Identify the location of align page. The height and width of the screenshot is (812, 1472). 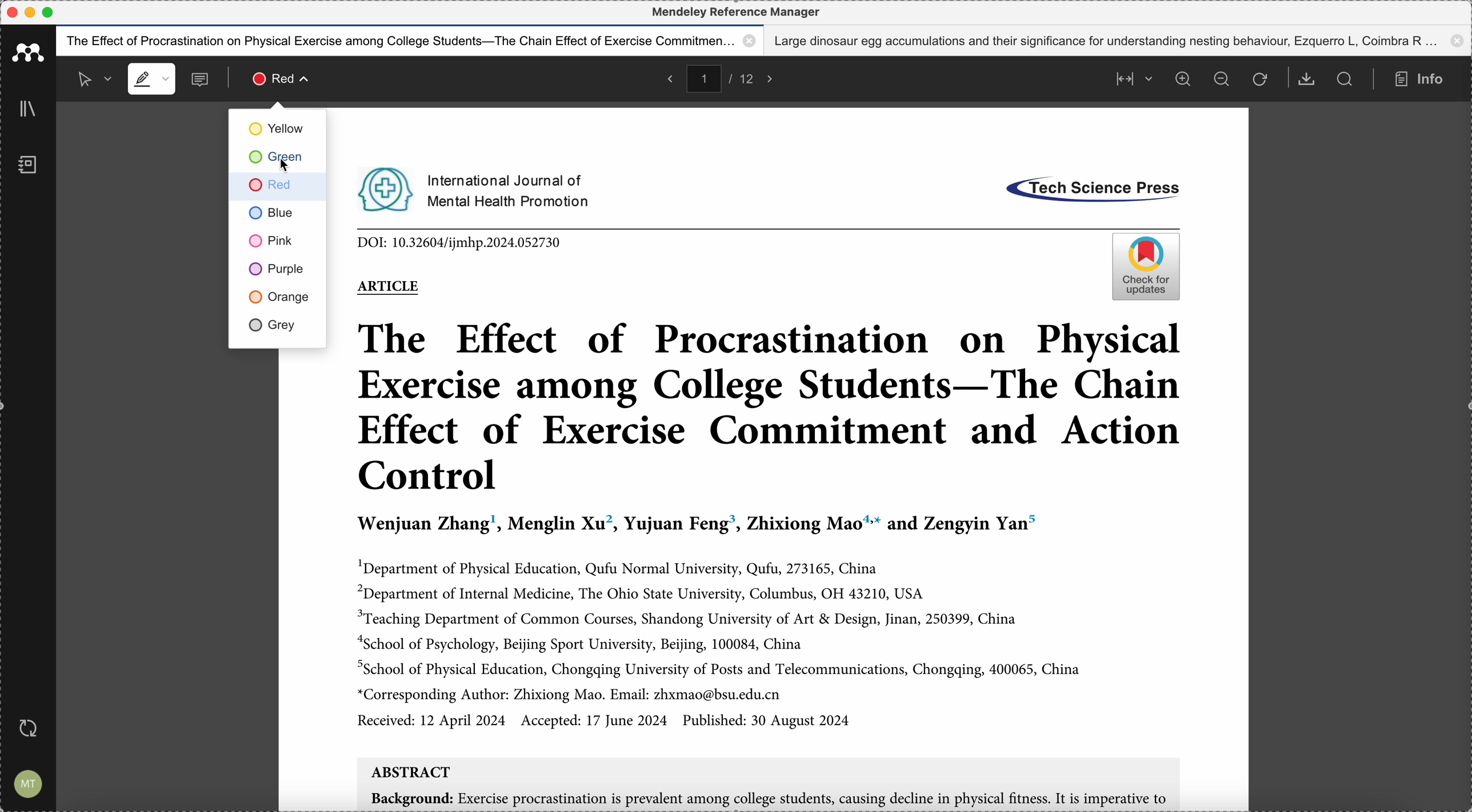
(1131, 78).